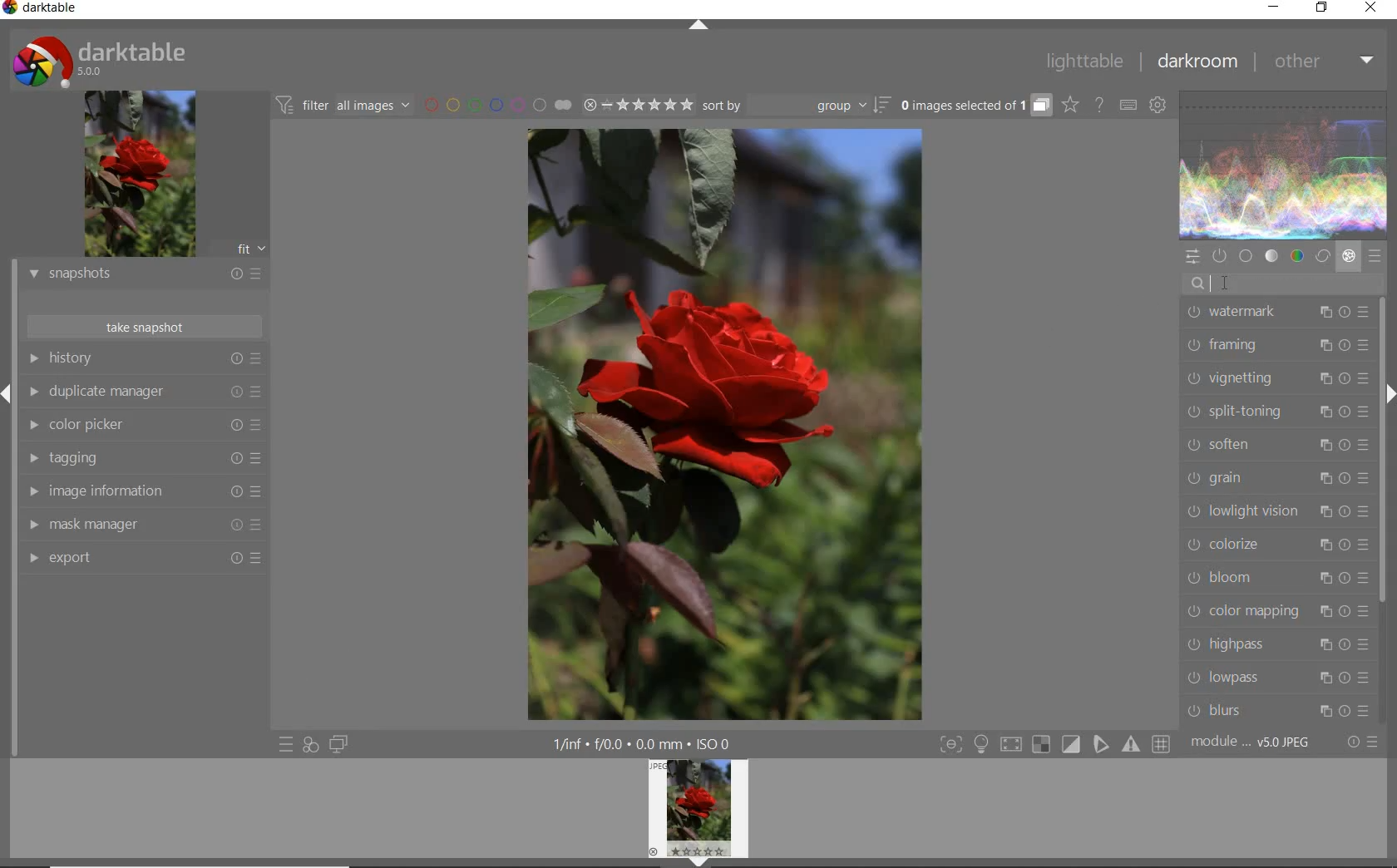  What do you see at coordinates (1244, 255) in the screenshot?
I see `base` at bounding box center [1244, 255].